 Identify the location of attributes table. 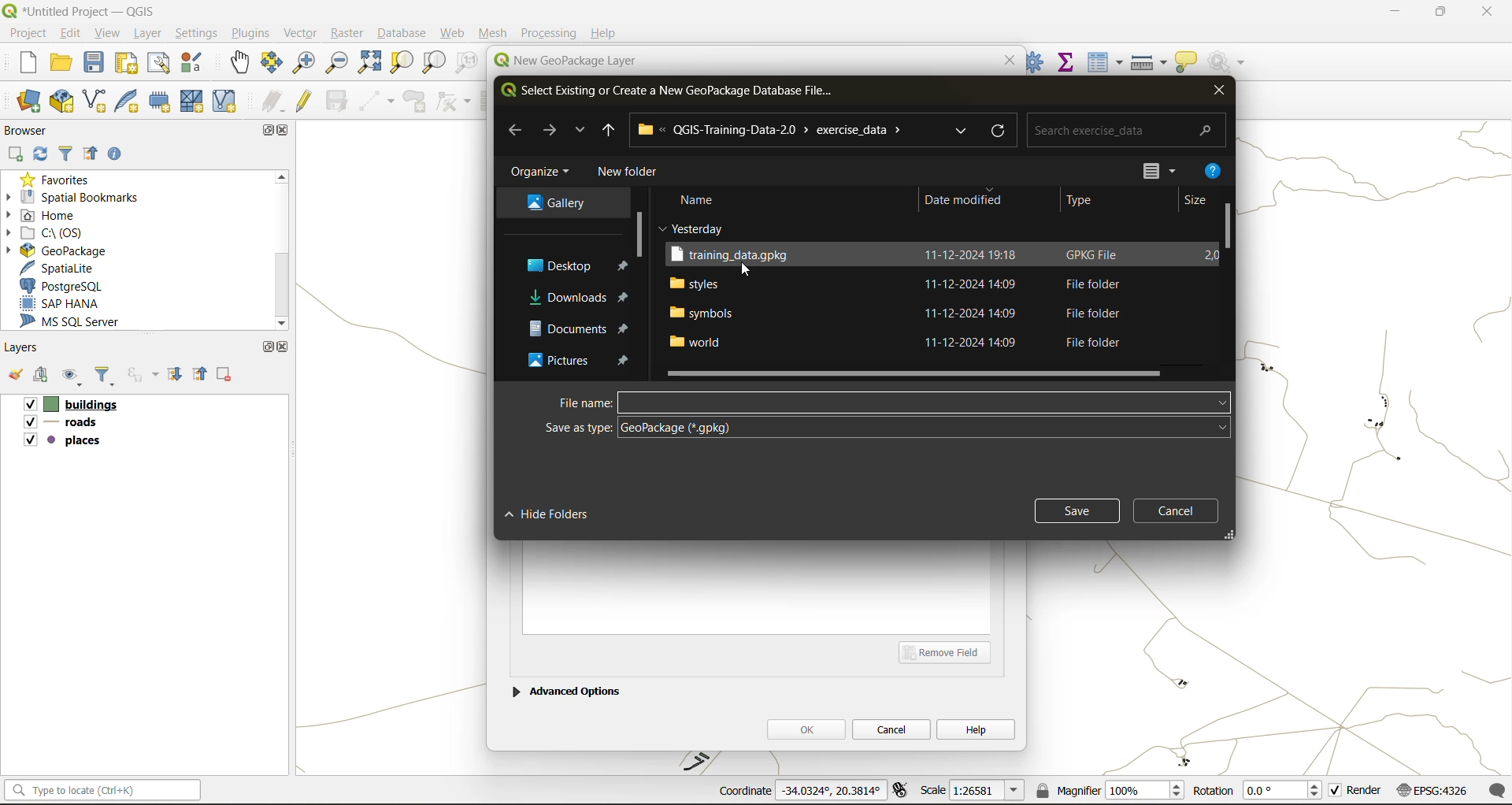
(1106, 62).